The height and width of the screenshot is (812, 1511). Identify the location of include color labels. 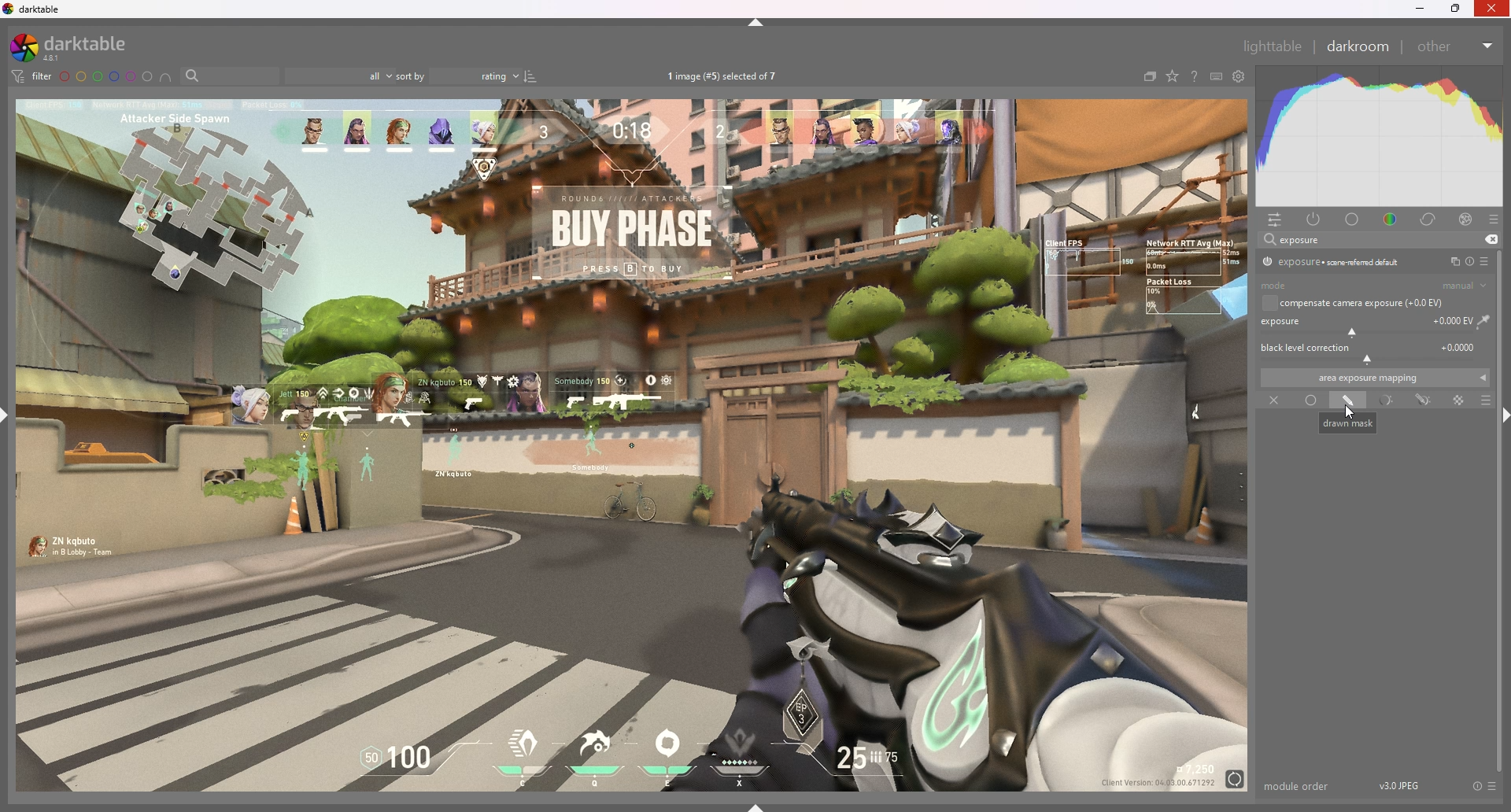
(168, 77).